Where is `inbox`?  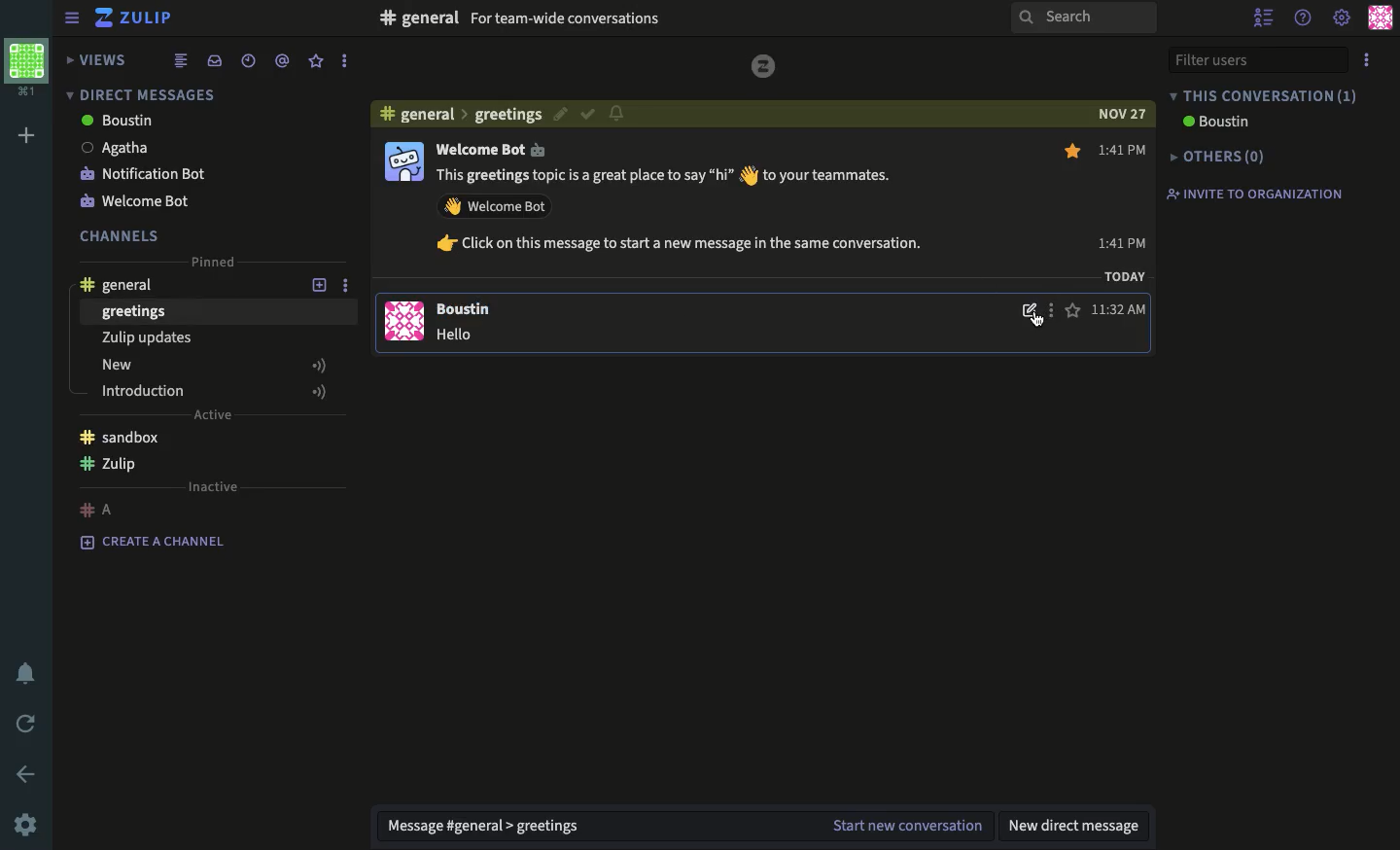
inbox is located at coordinates (214, 60).